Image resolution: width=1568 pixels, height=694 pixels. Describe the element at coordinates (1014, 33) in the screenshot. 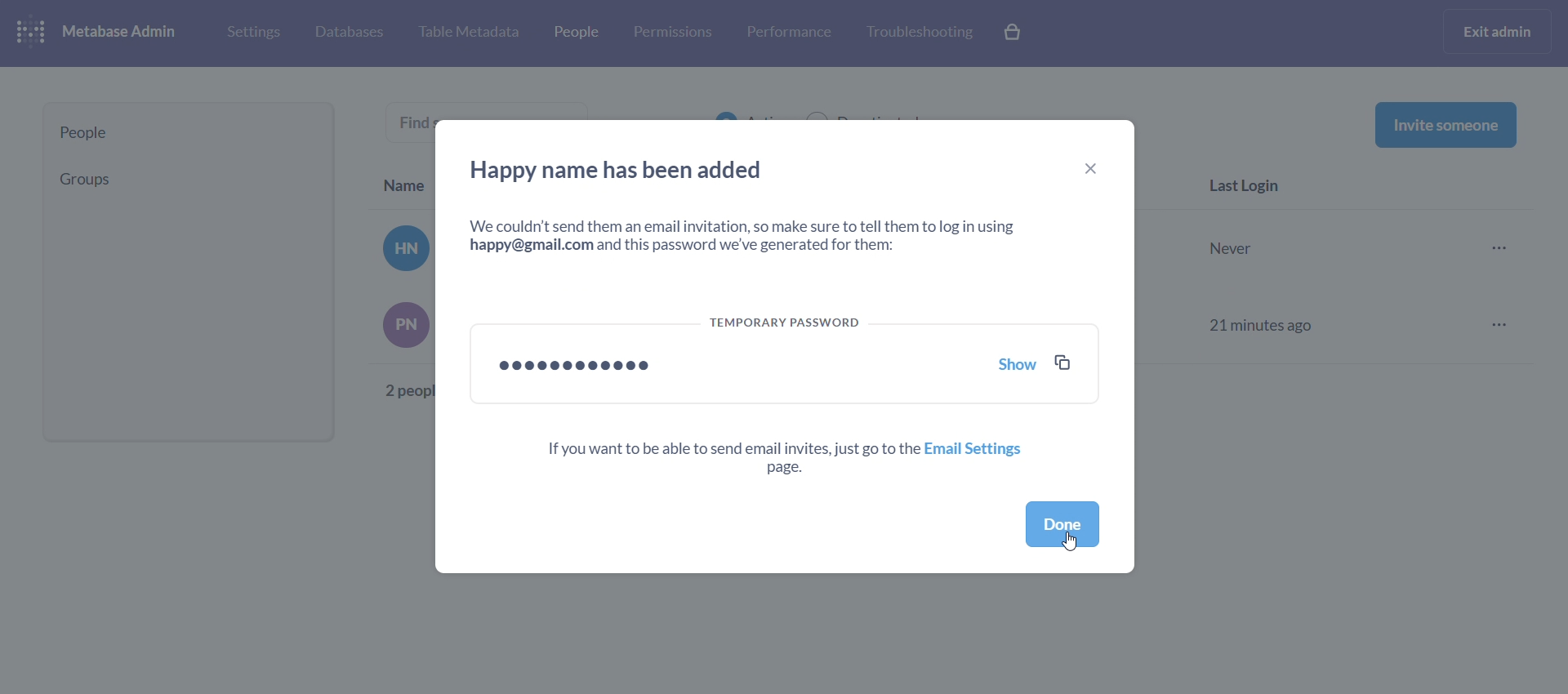

I see `explore paid features` at that location.